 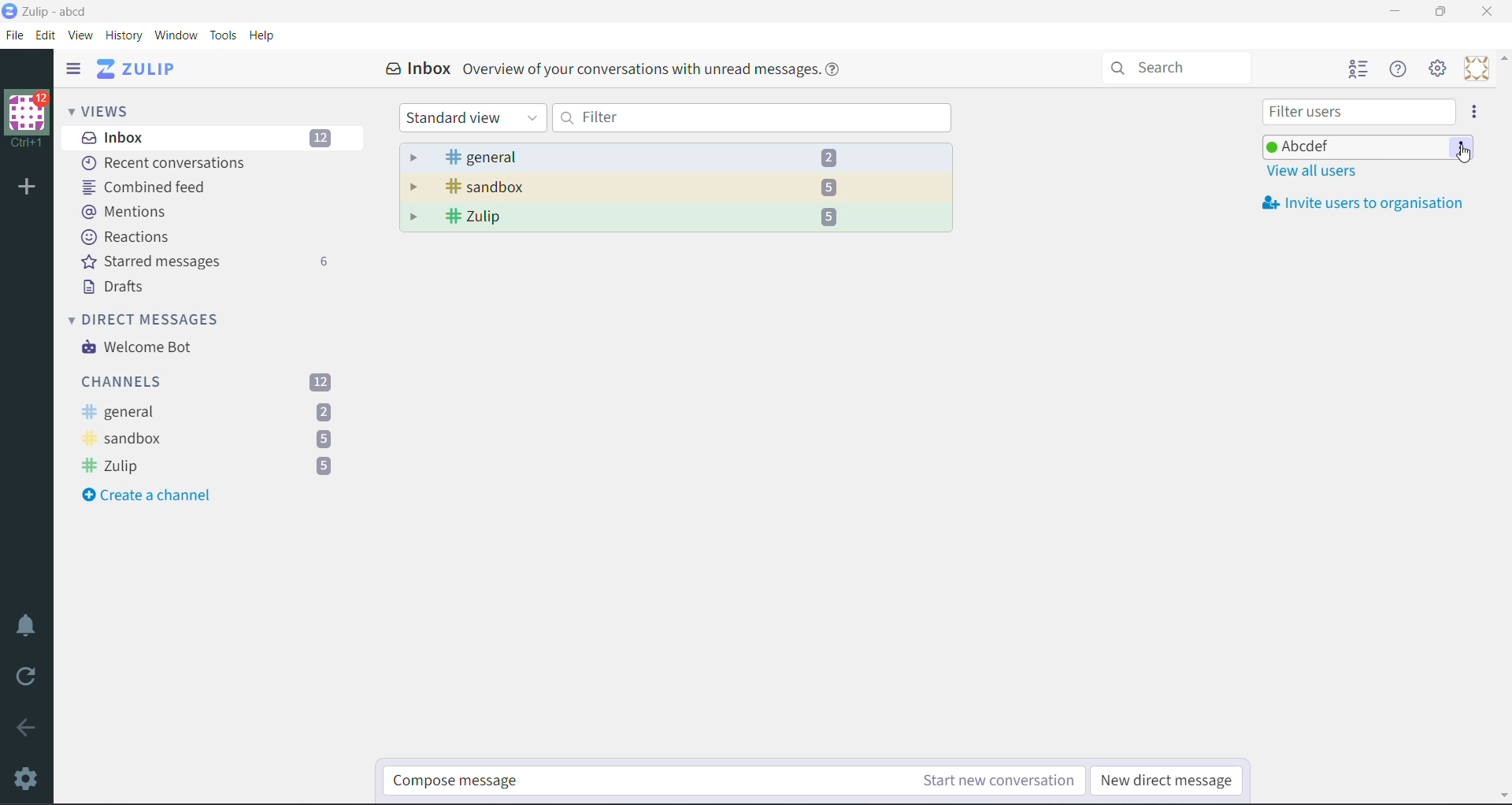 I want to click on Drafts, so click(x=121, y=289).